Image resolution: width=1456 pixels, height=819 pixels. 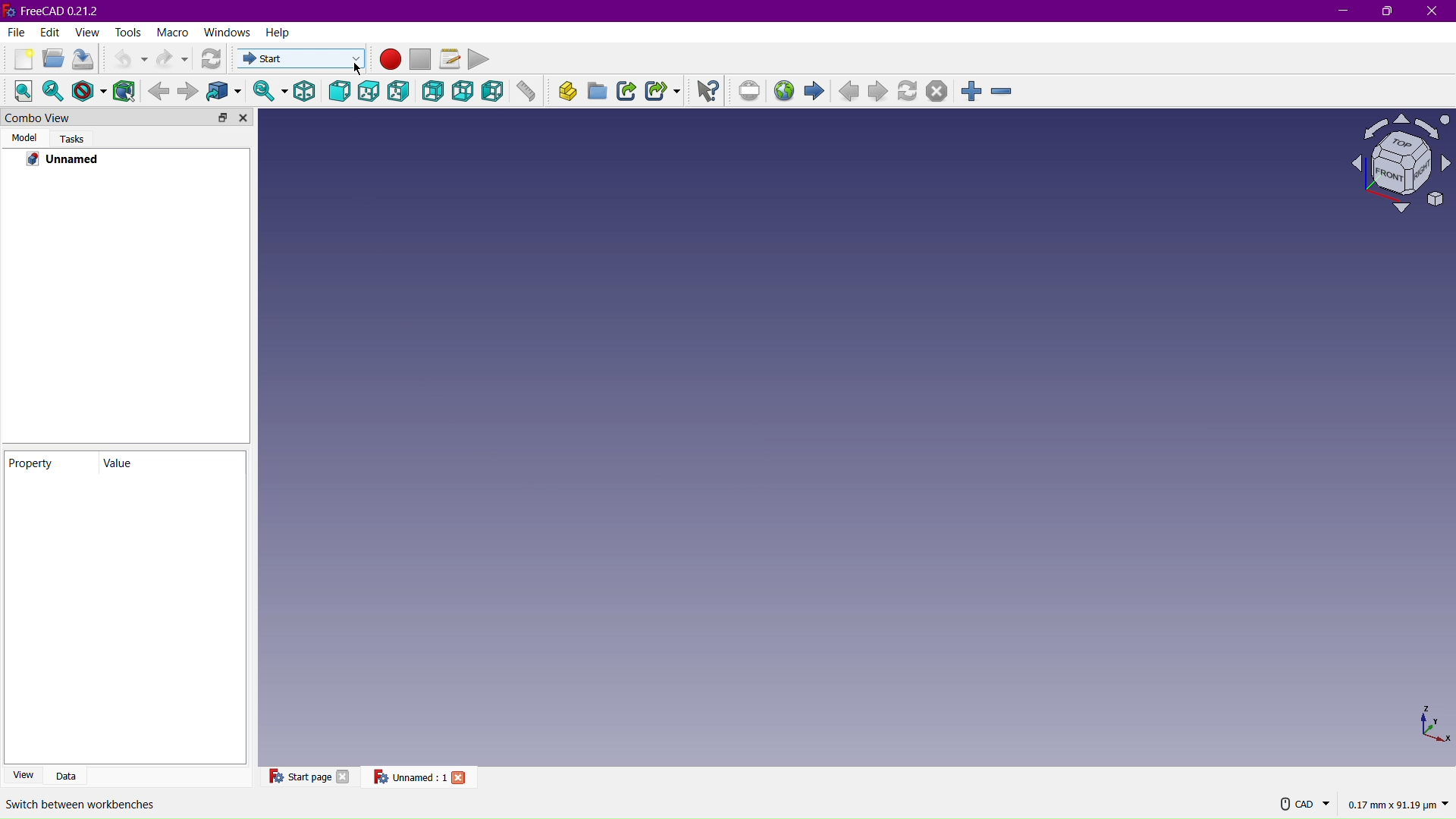 I want to click on Switch between workbenches, so click(x=79, y=805).